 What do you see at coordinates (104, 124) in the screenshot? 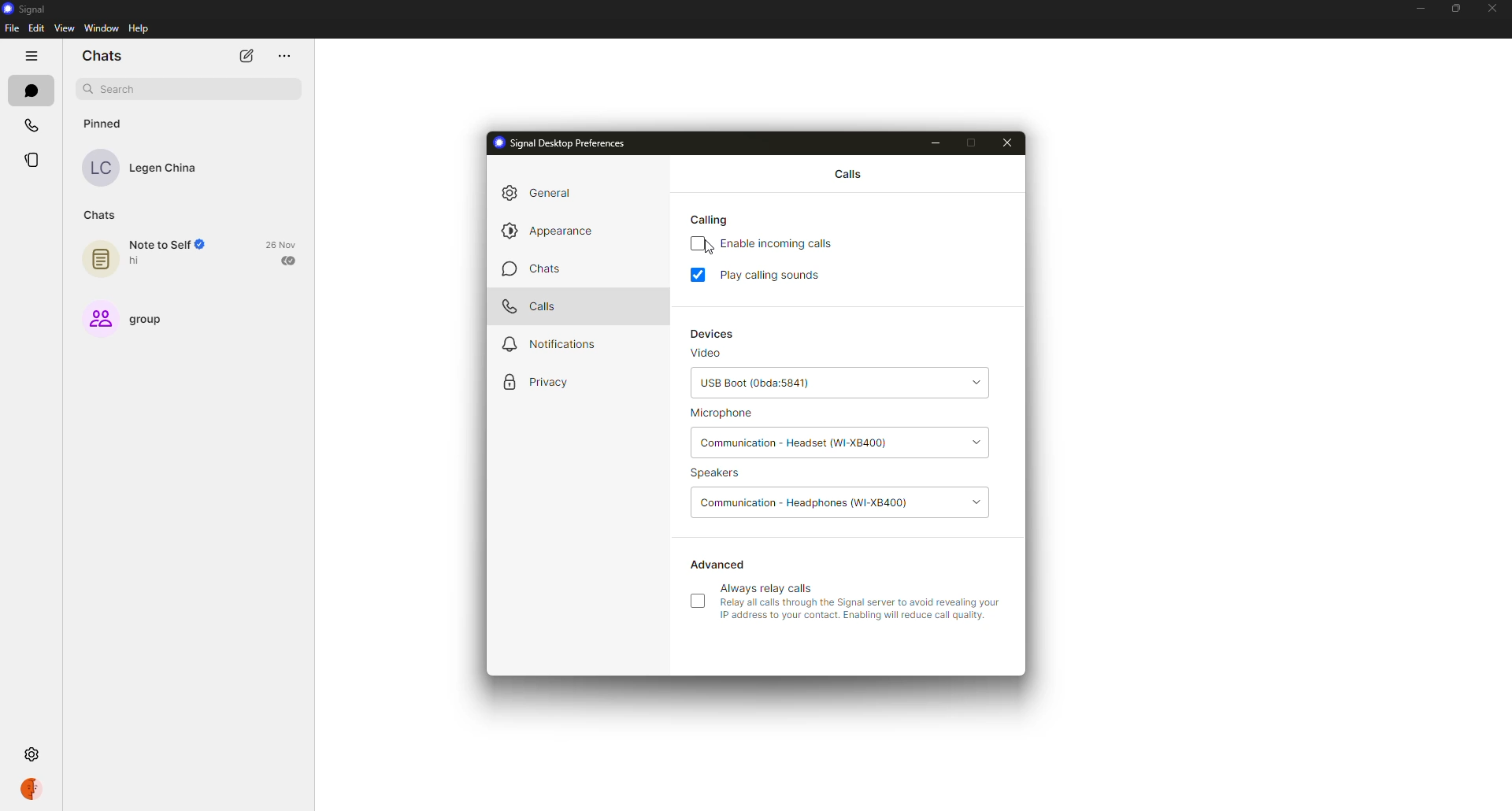
I see `pinned` at bounding box center [104, 124].